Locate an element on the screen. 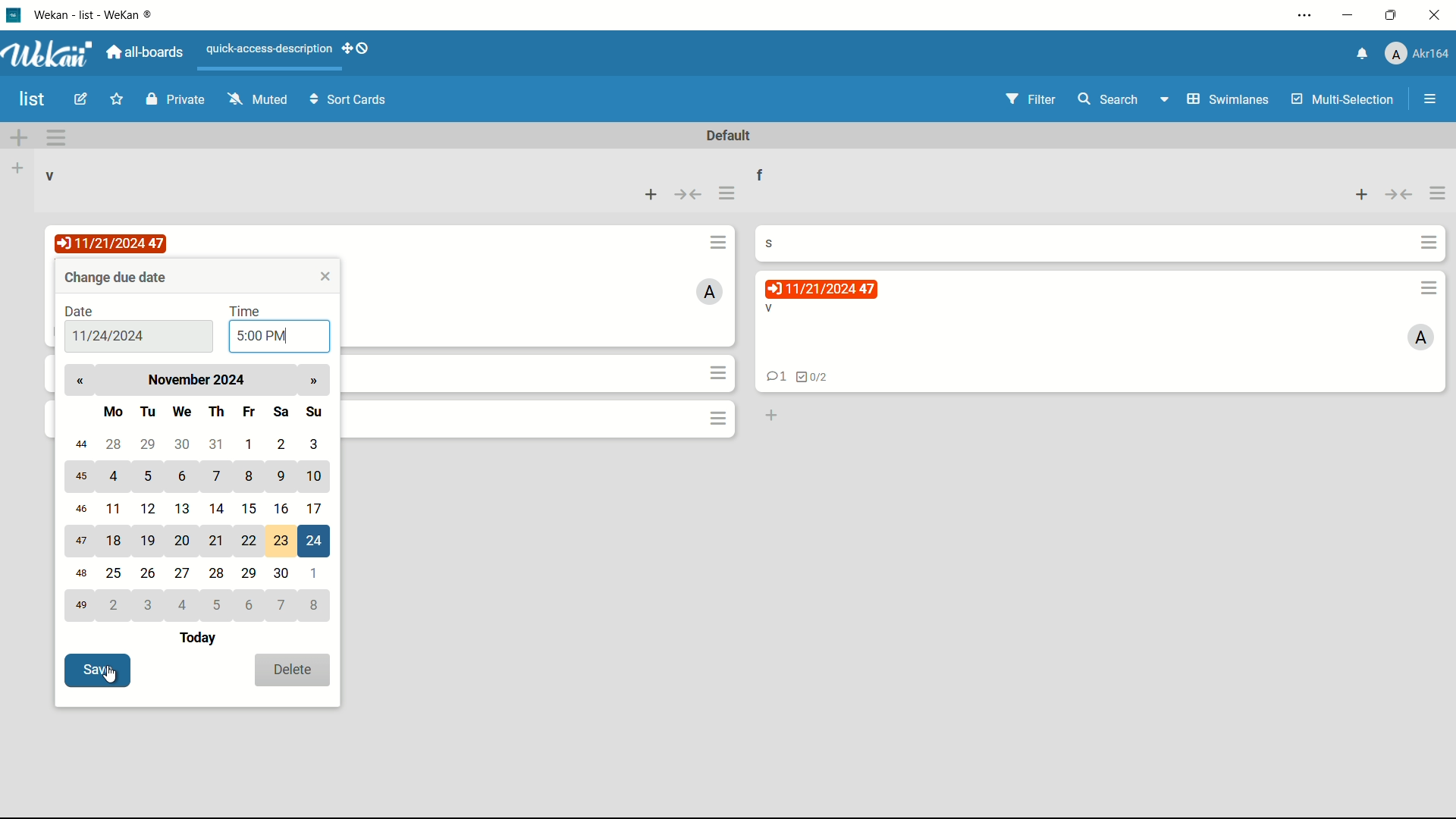 This screenshot has width=1456, height=819. default is located at coordinates (730, 136).